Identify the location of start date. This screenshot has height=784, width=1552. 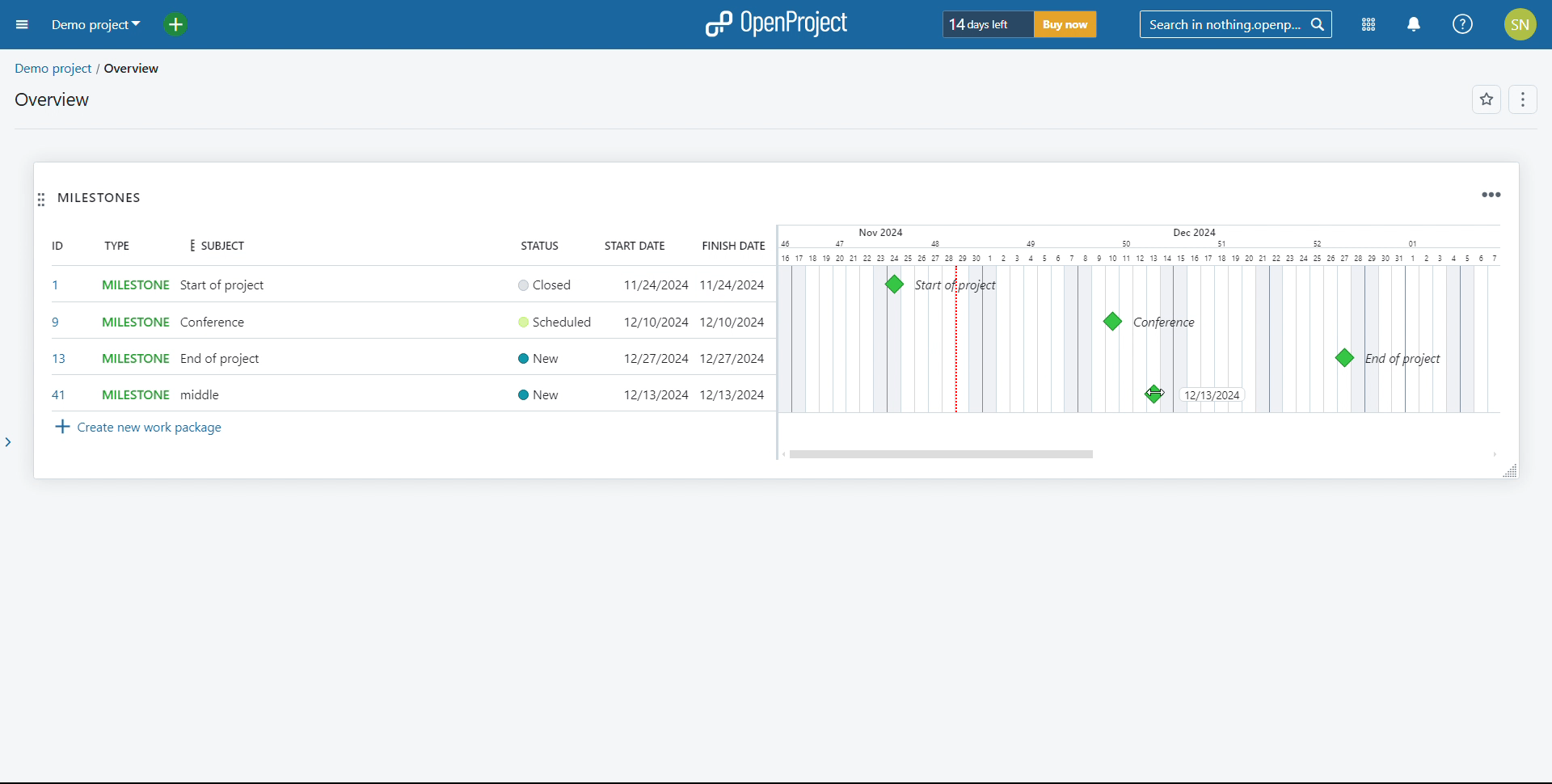
(637, 245).